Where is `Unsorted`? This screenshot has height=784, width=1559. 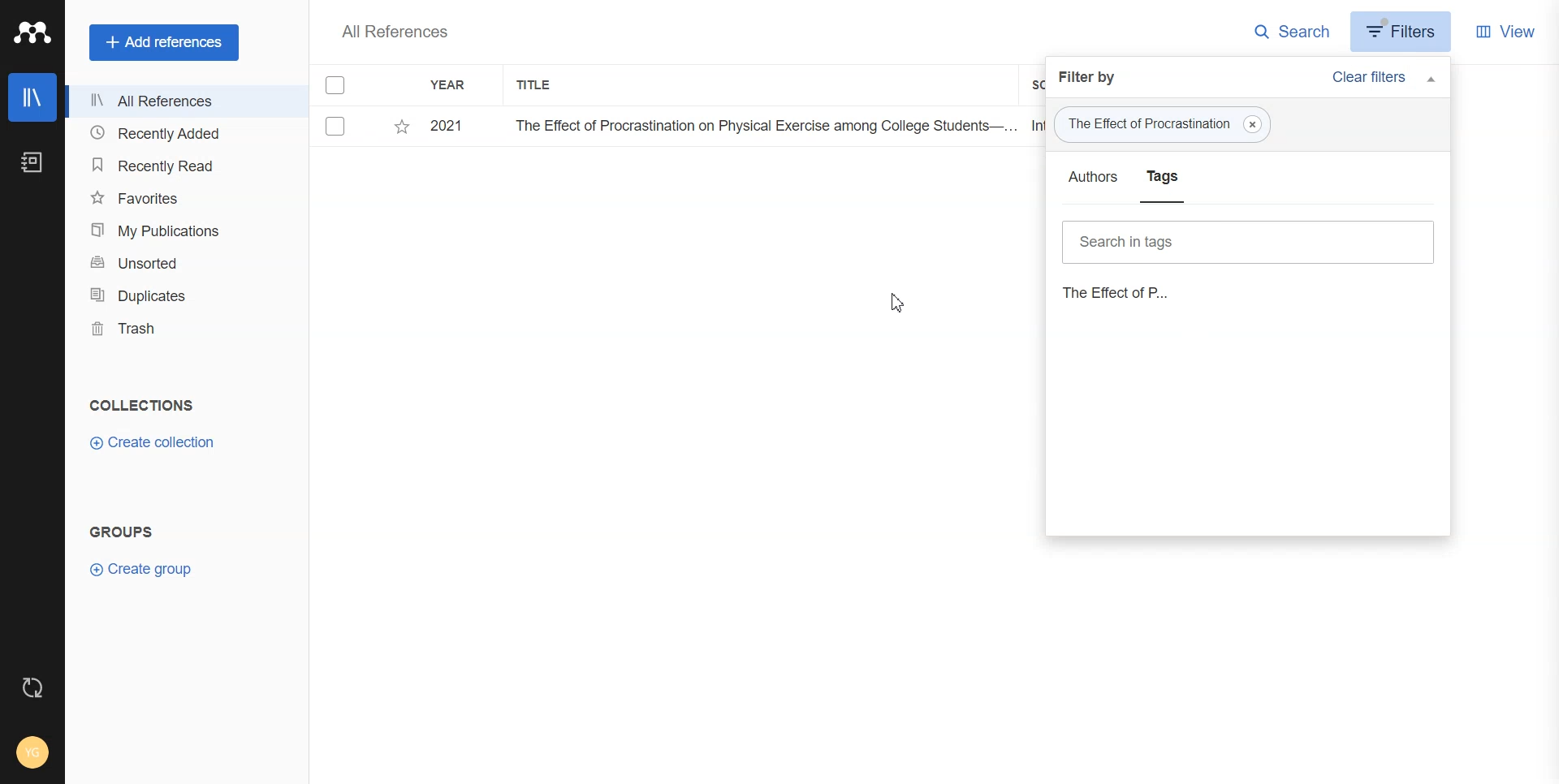
Unsorted is located at coordinates (177, 263).